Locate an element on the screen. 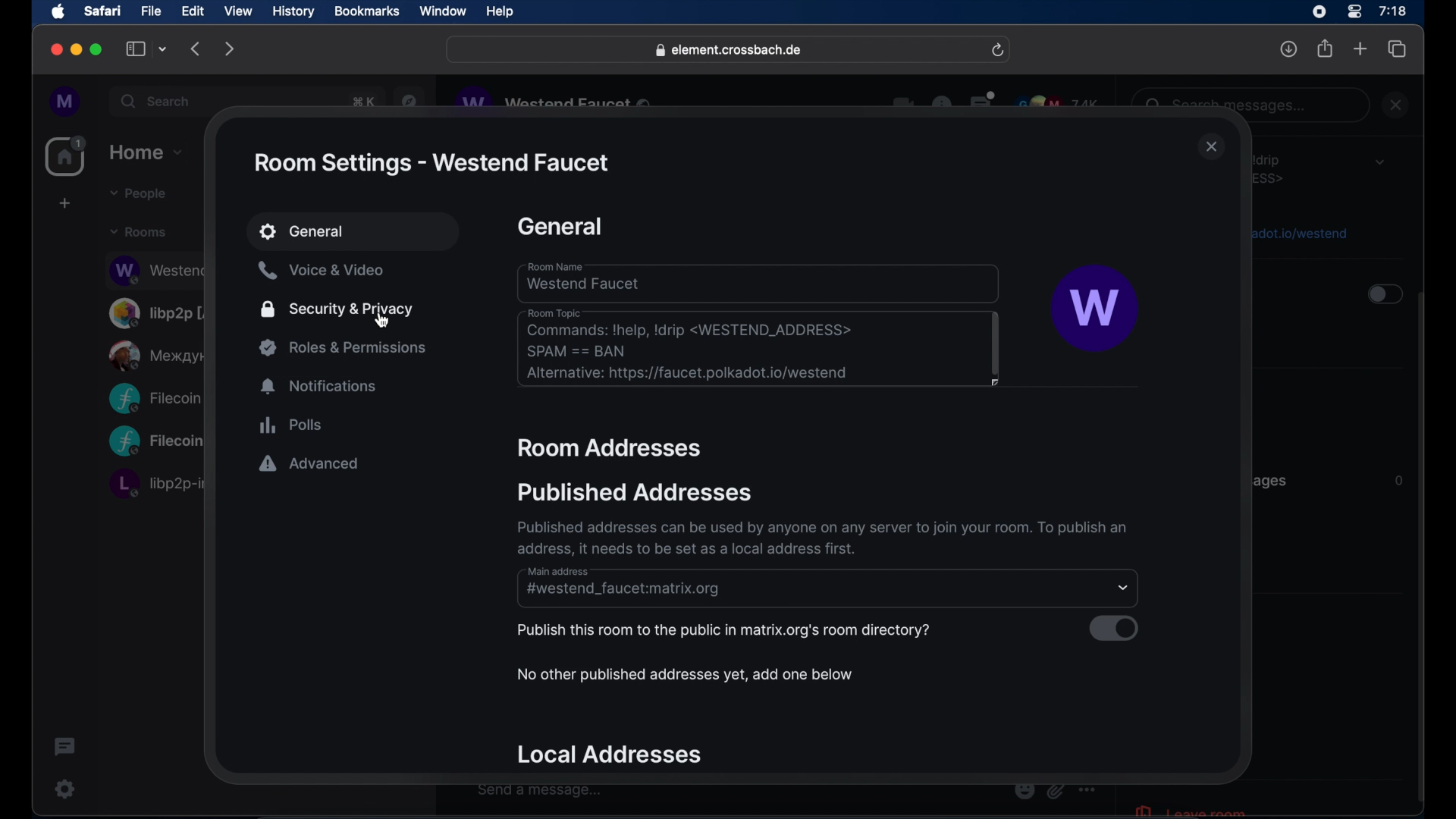  obscure is located at coordinates (1272, 168).